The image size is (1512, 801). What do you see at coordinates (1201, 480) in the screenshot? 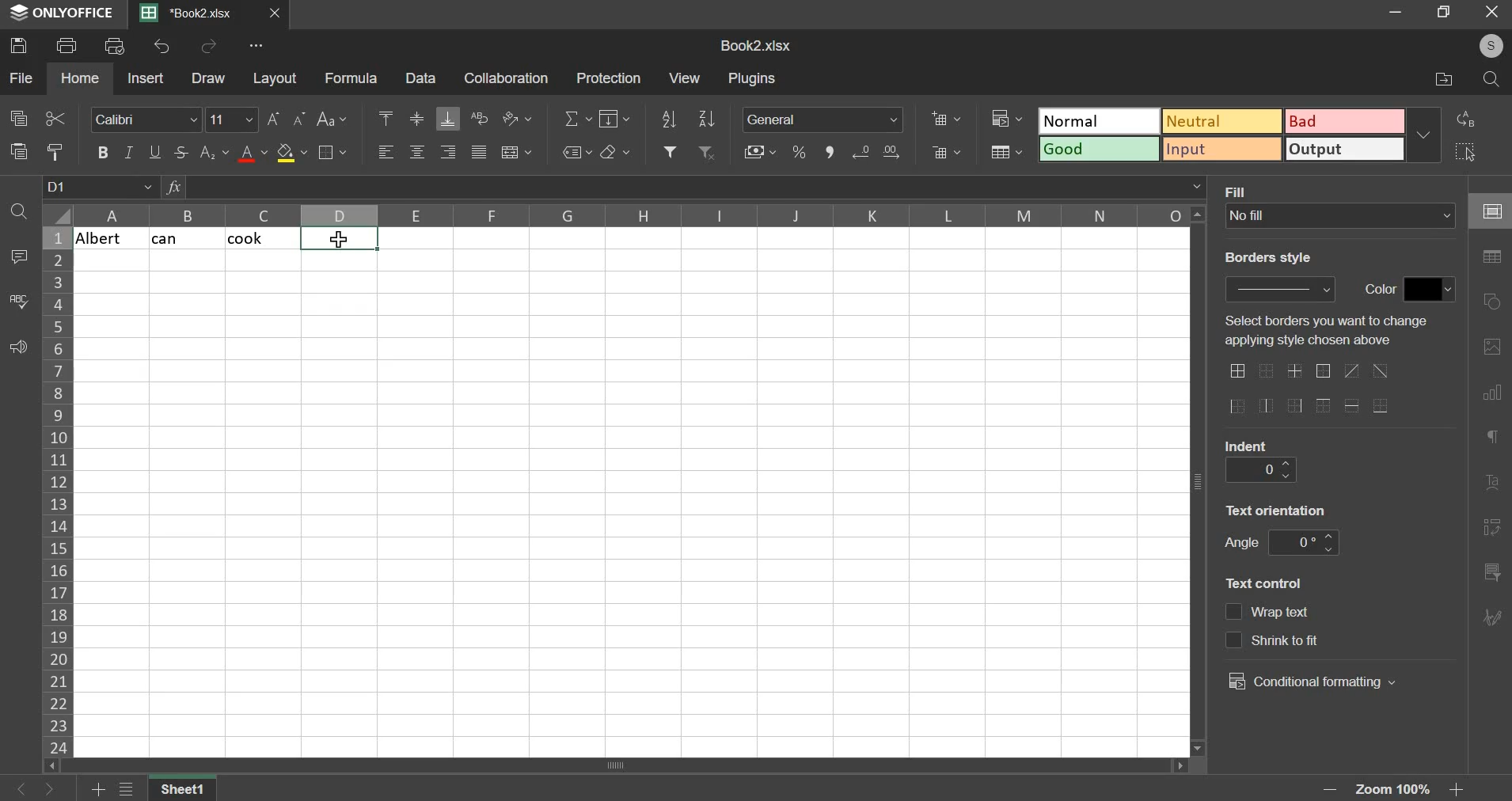
I see `vertical scroll bar` at bounding box center [1201, 480].